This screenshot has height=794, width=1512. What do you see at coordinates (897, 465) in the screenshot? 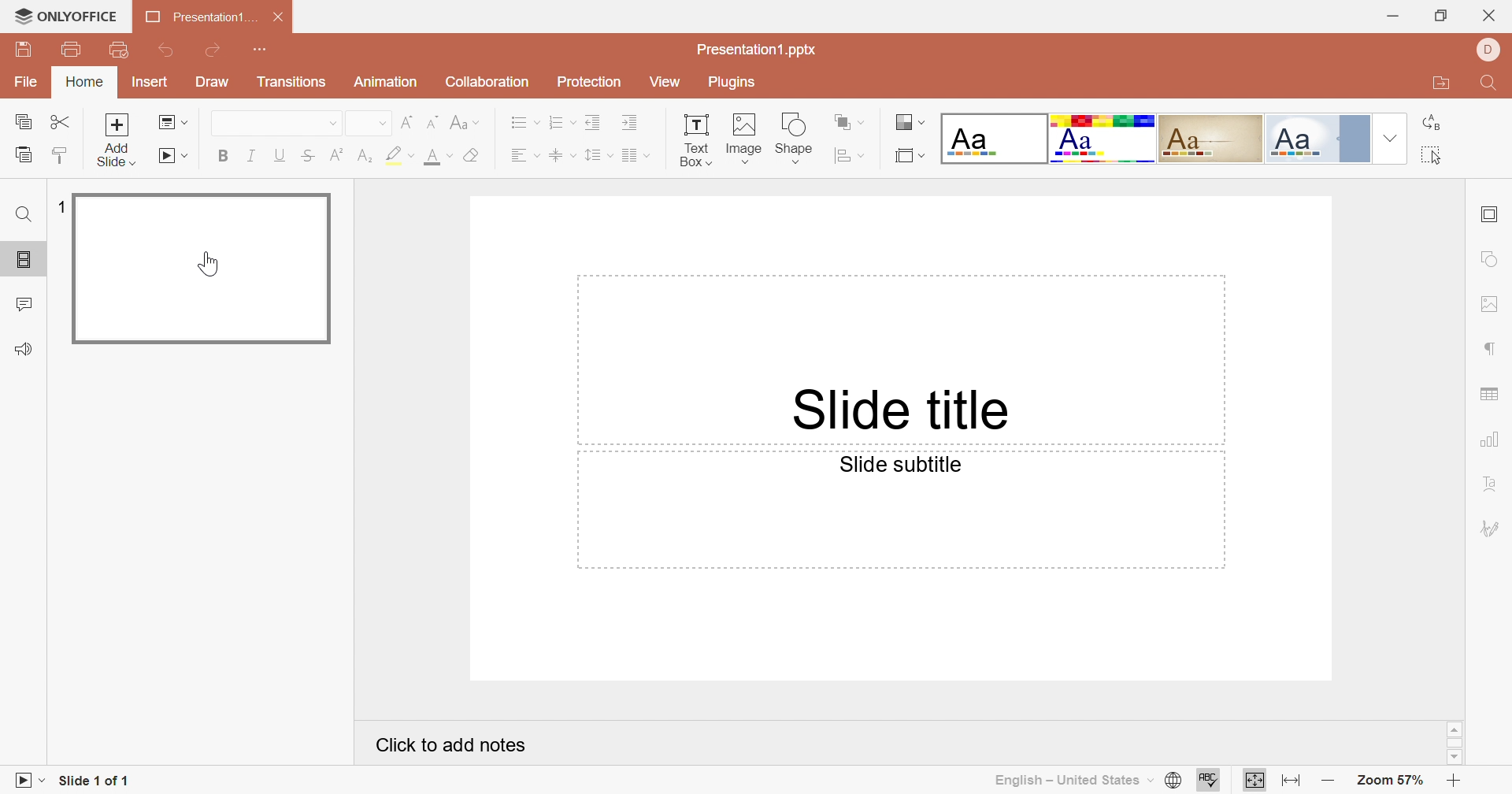
I see `Slide subtitle` at bounding box center [897, 465].